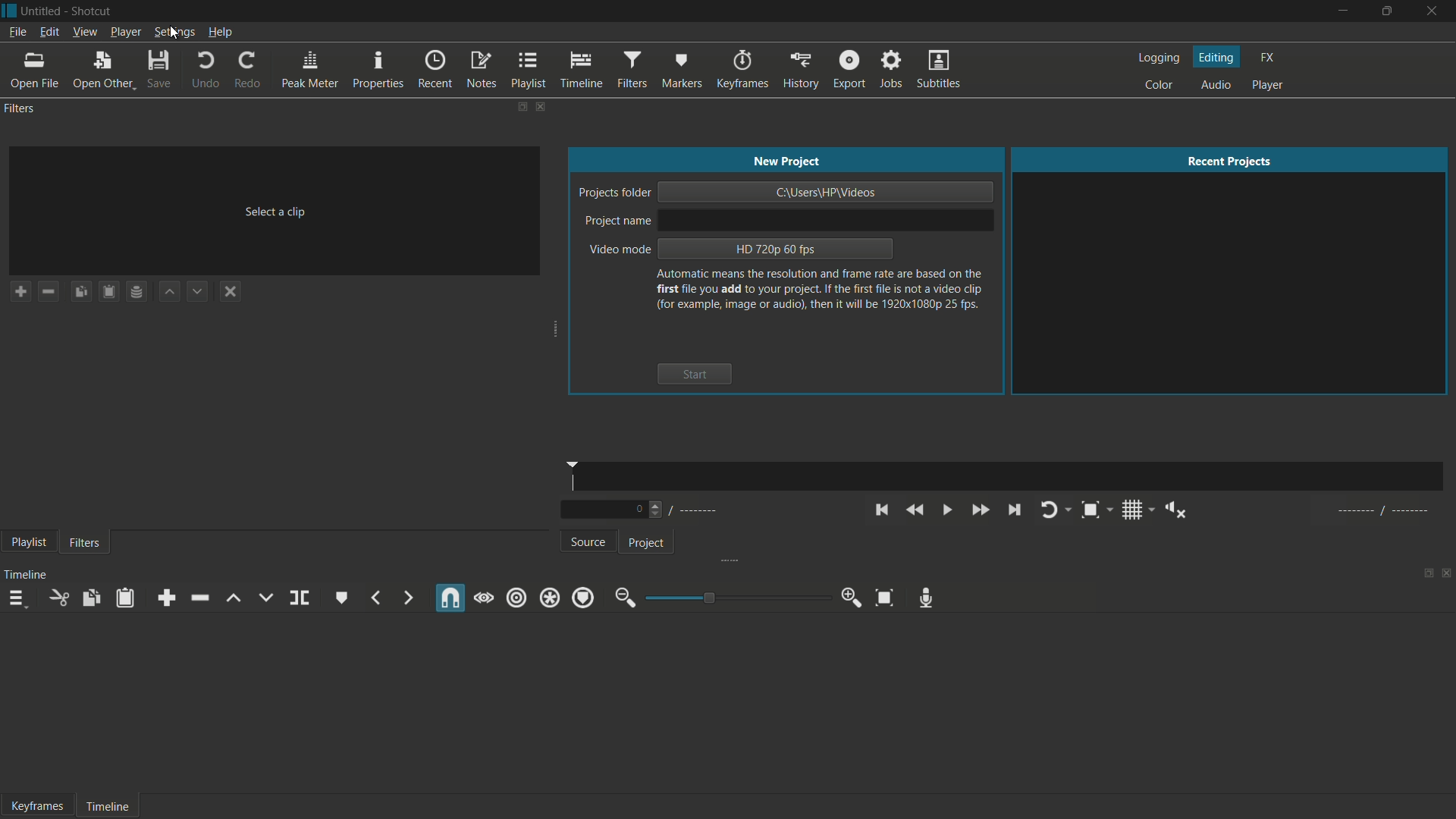 This screenshot has width=1456, height=819. I want to click on project location, so click(827, 192).